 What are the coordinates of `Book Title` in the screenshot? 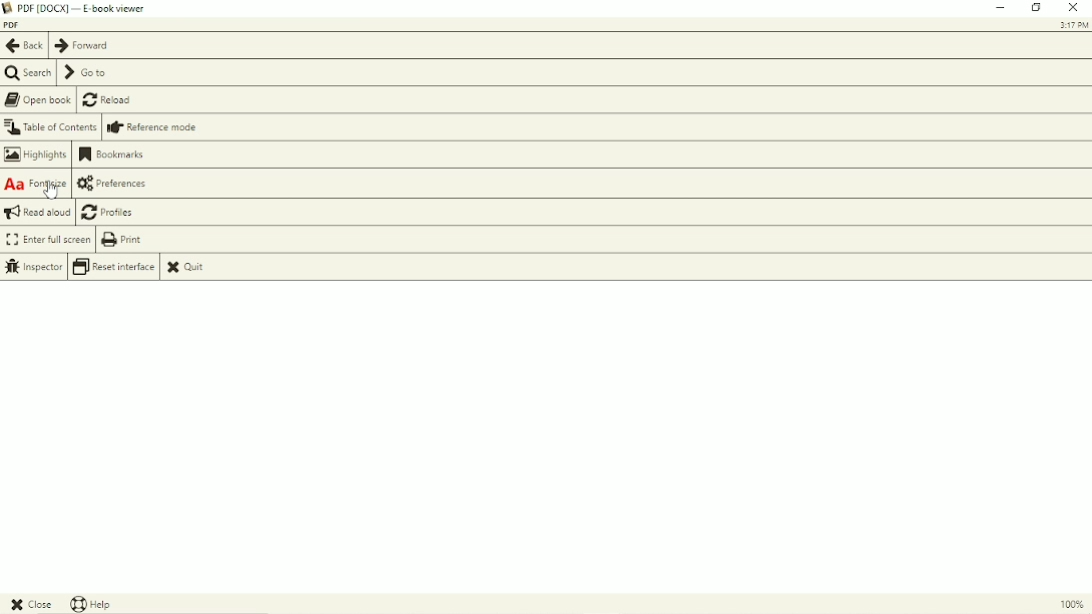 It's located at (87, 8).